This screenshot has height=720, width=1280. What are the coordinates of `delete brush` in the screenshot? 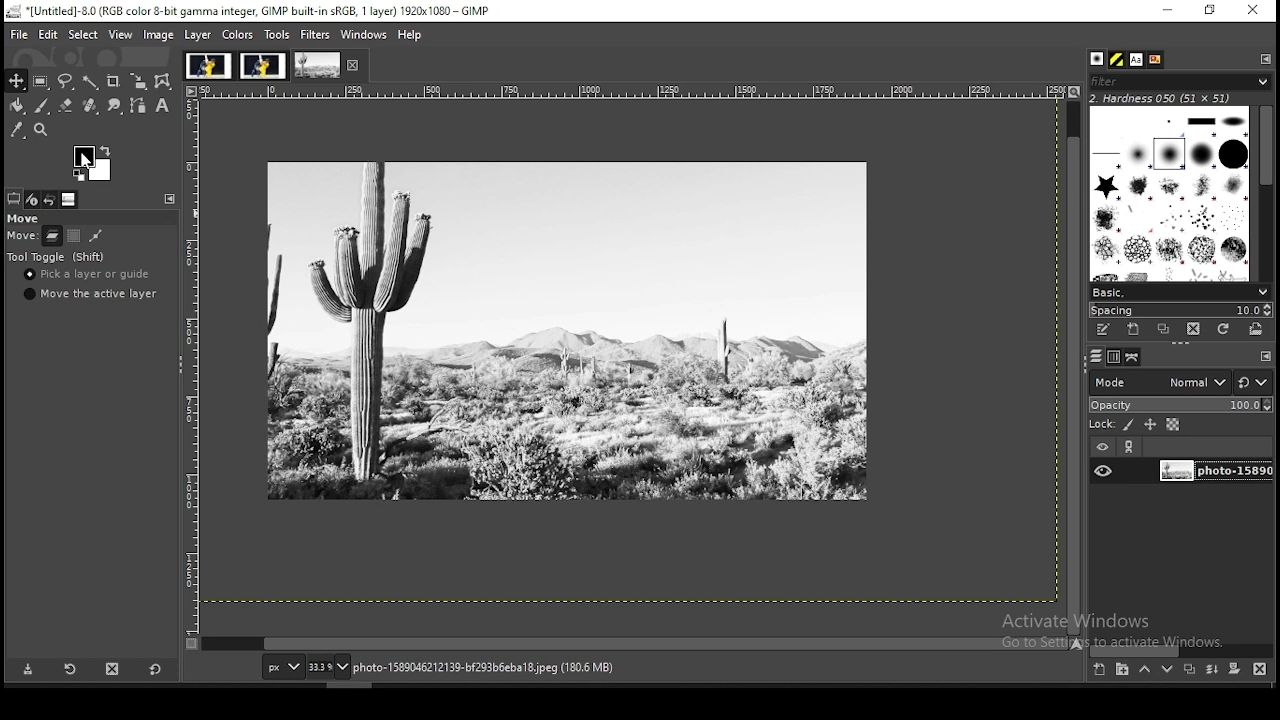 It's located at (1193, 330).